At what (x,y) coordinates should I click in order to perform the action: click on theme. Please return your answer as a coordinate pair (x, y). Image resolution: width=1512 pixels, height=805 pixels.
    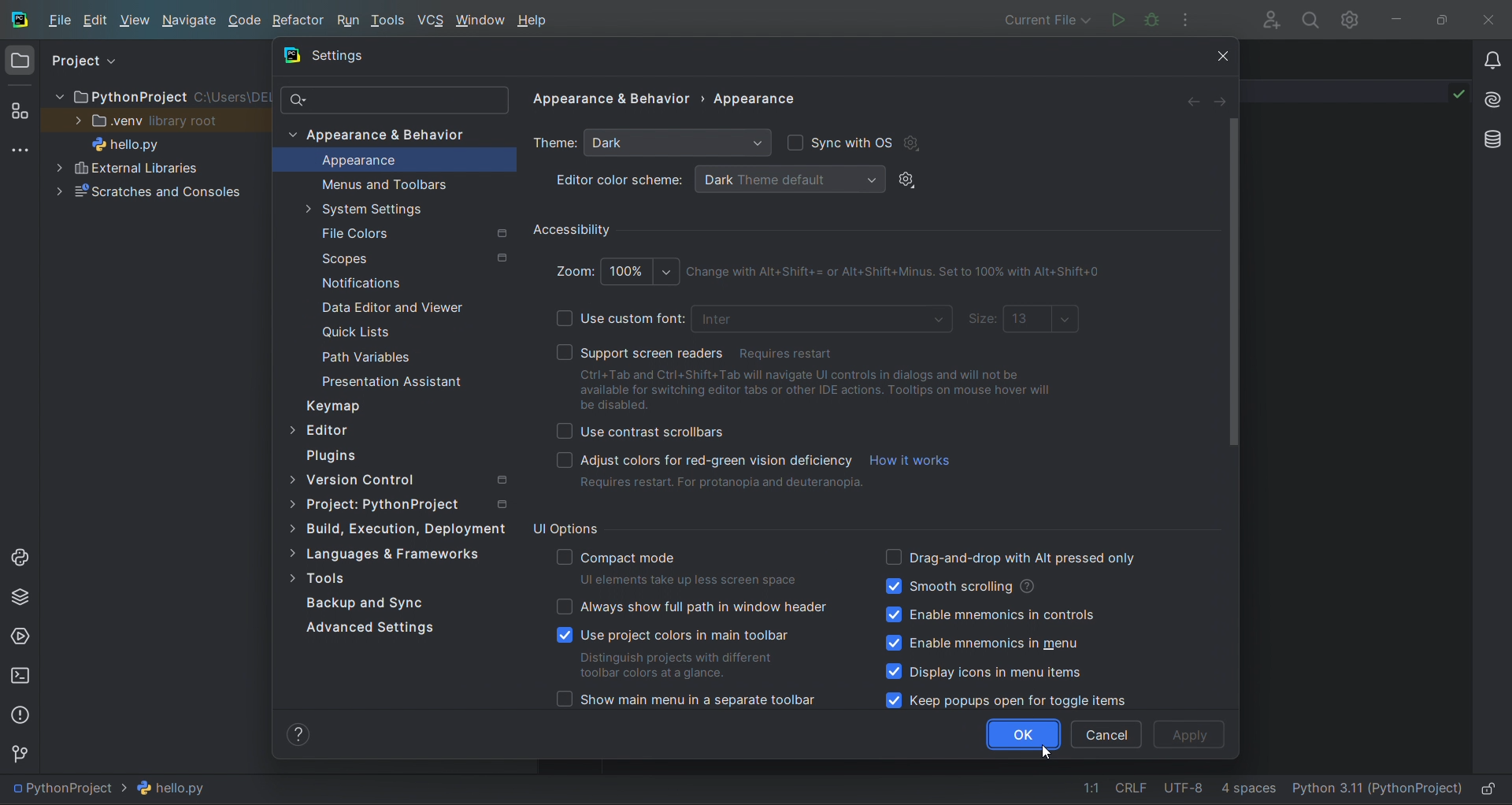
    Looking at the image, I should click on (553, 141).